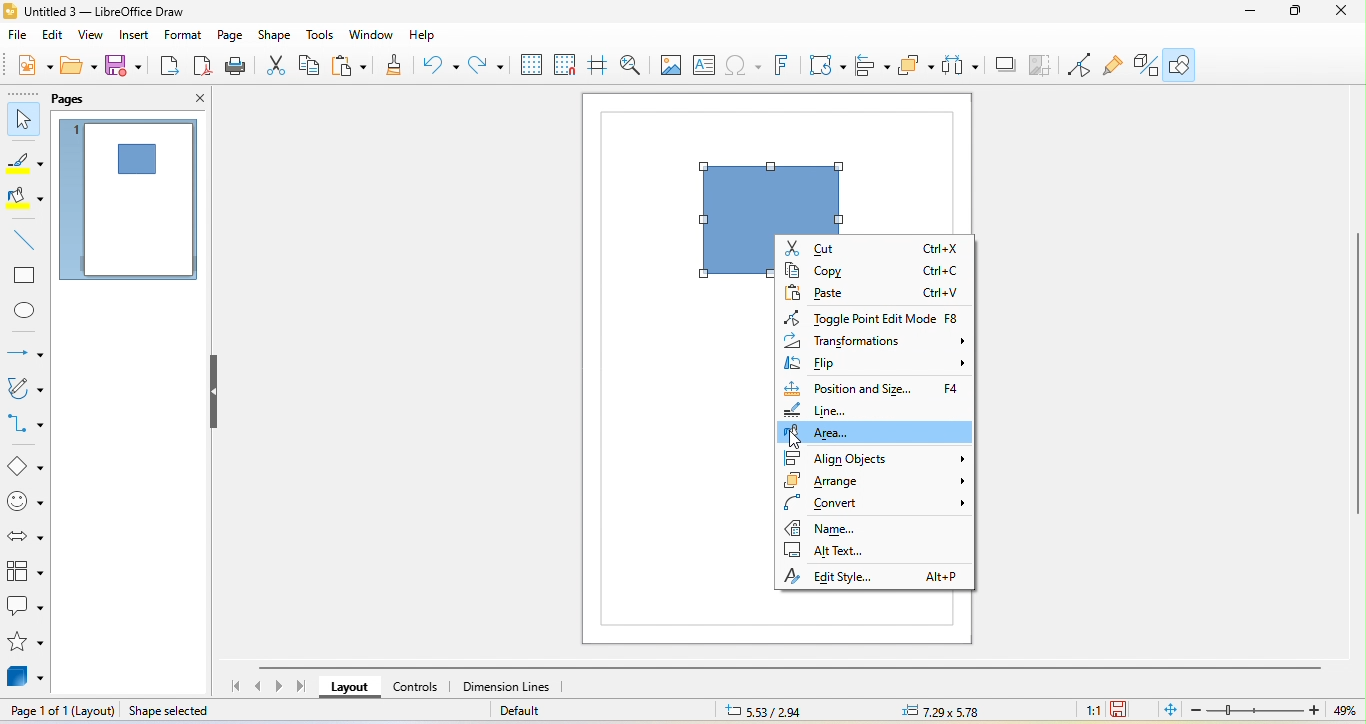 Image resolution: width=1366 pixels, height=724 pixels. Describe the element at coordinates (10, 11) in the screenshot. I see `LibreOffice logo` at that location.